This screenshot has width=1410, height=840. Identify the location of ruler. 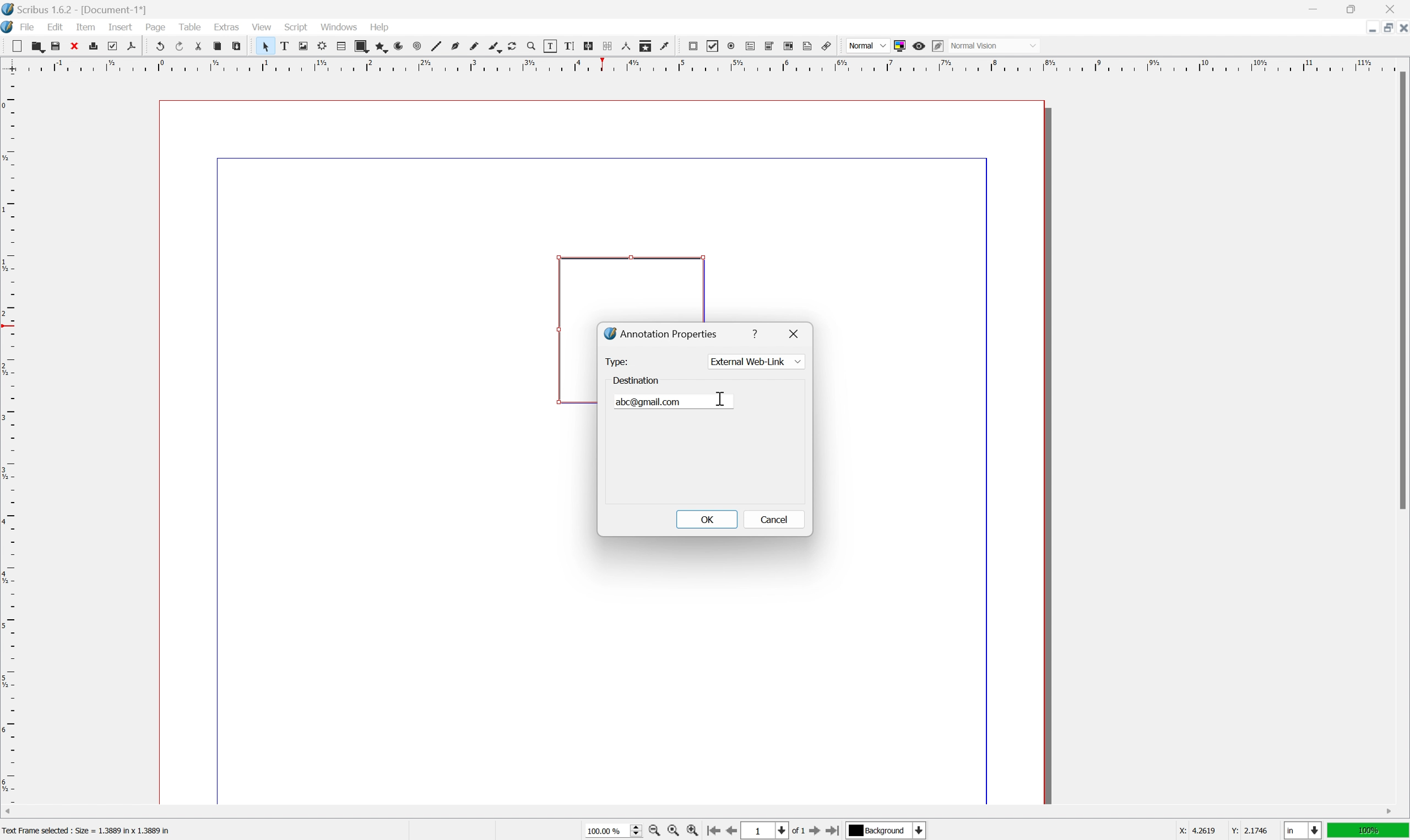
(703, 65).